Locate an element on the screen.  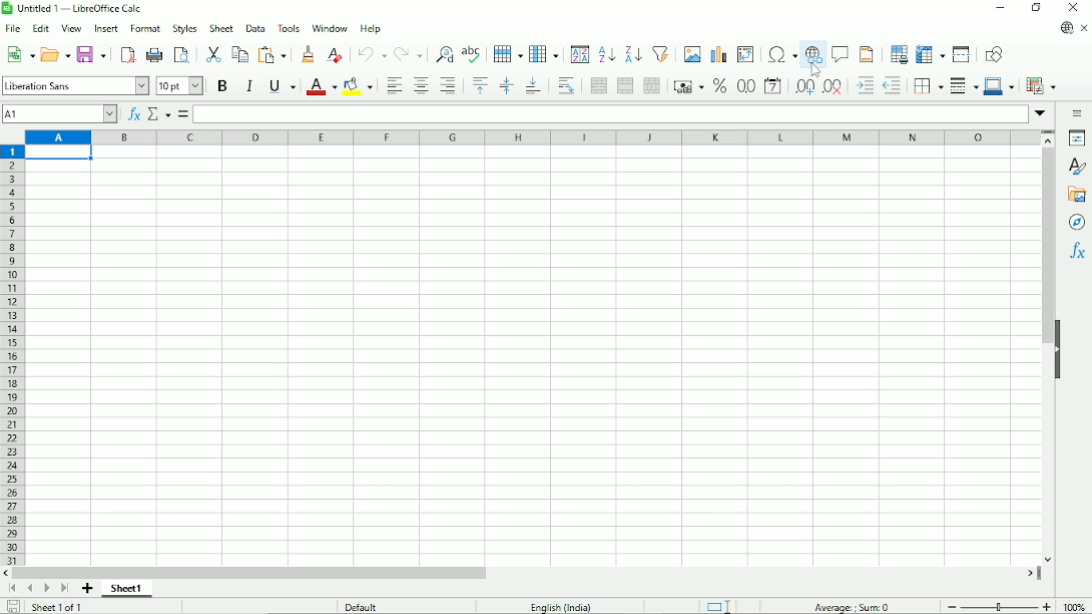
Minimize is located at coordinates (1000, 9).